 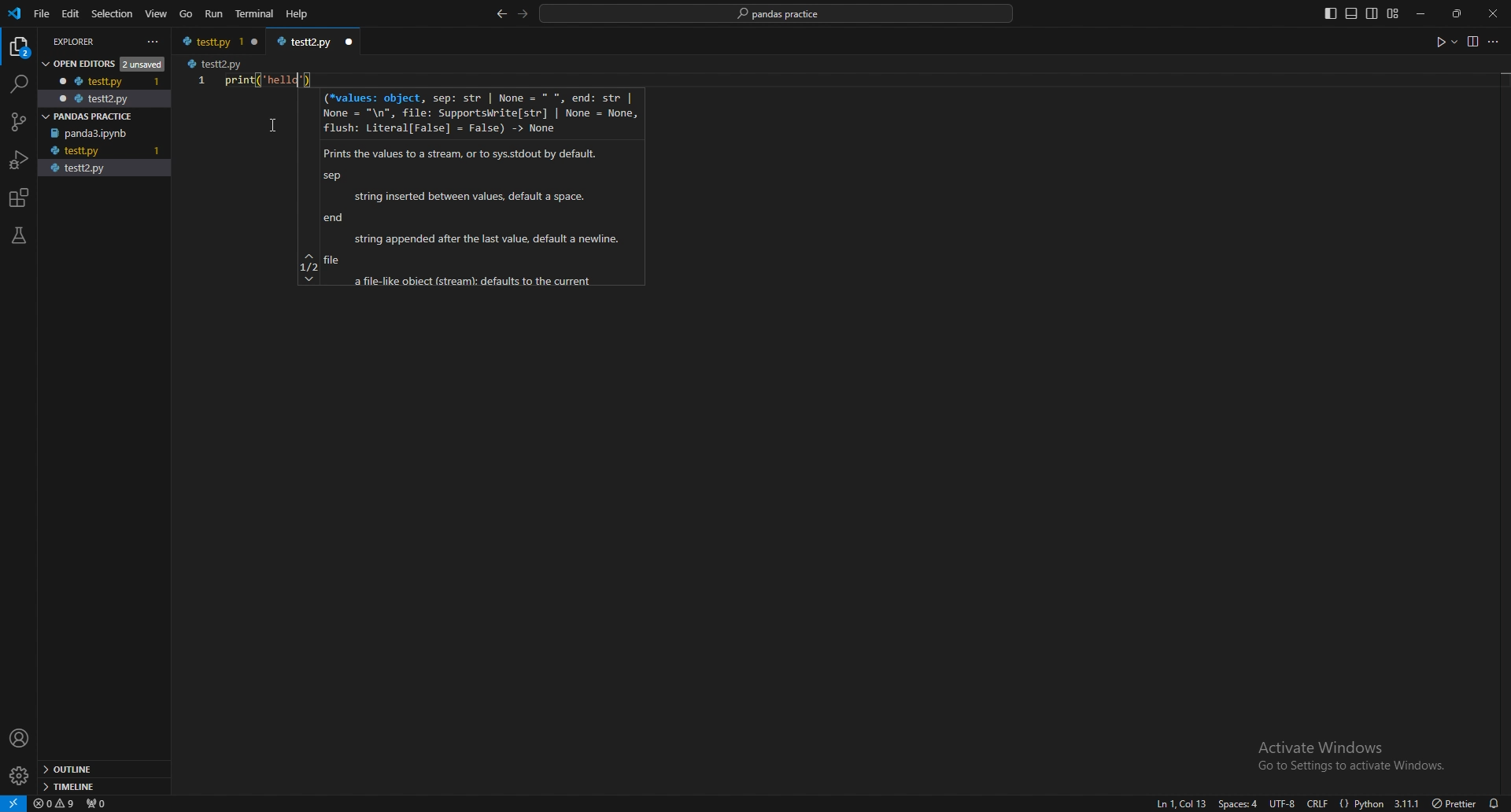 What do you see at coordinates (1346, 755) in the screenshot?
I see `Activate Windows
Go to Settings to activate Windows.` at bounding box center [1346, 755].